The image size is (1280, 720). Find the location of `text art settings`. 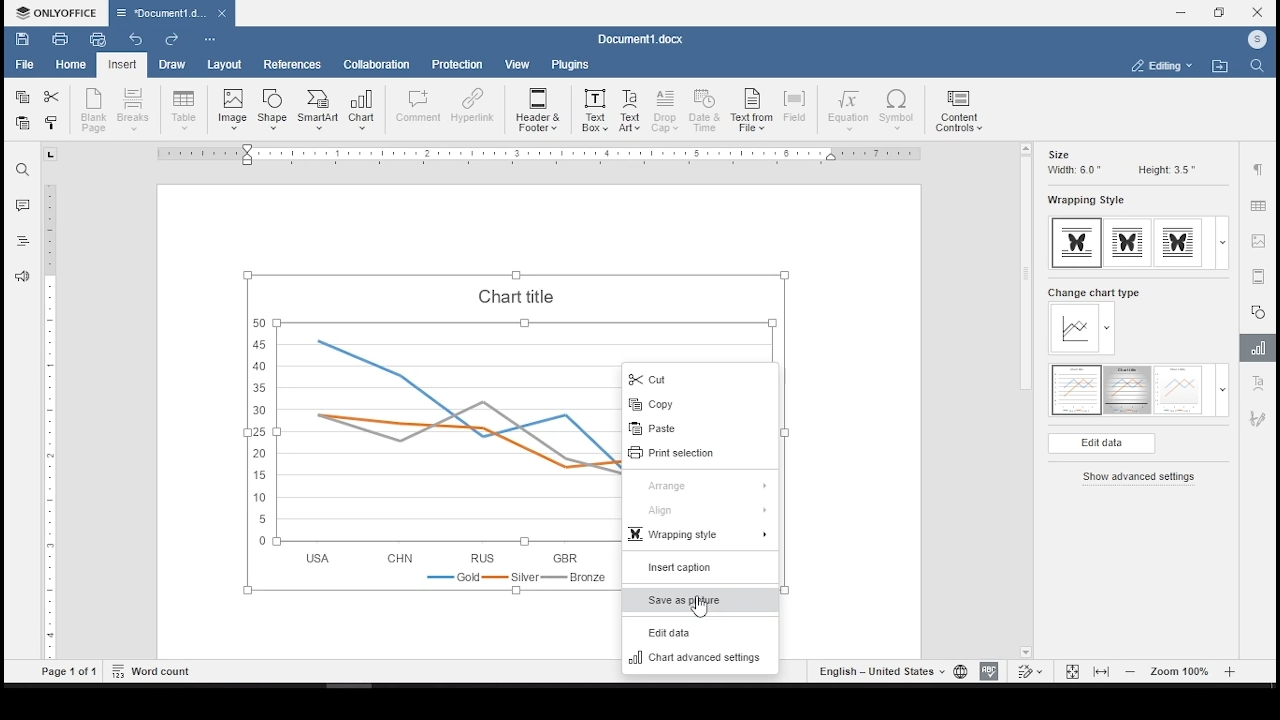

text art settings is located at coordinates (1261, 384).